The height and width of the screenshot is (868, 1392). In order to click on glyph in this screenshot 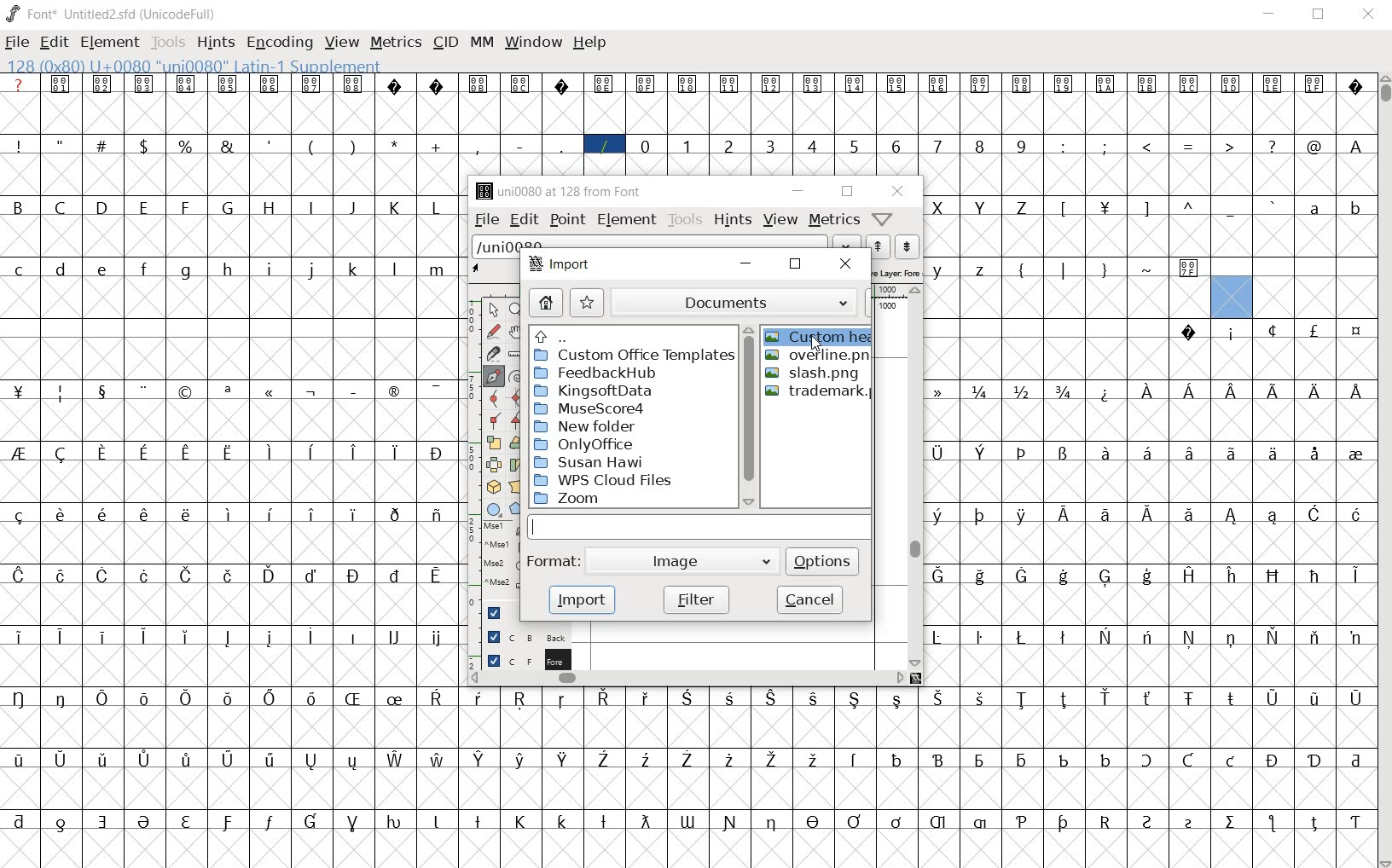, I will do `click(979, 84)`.